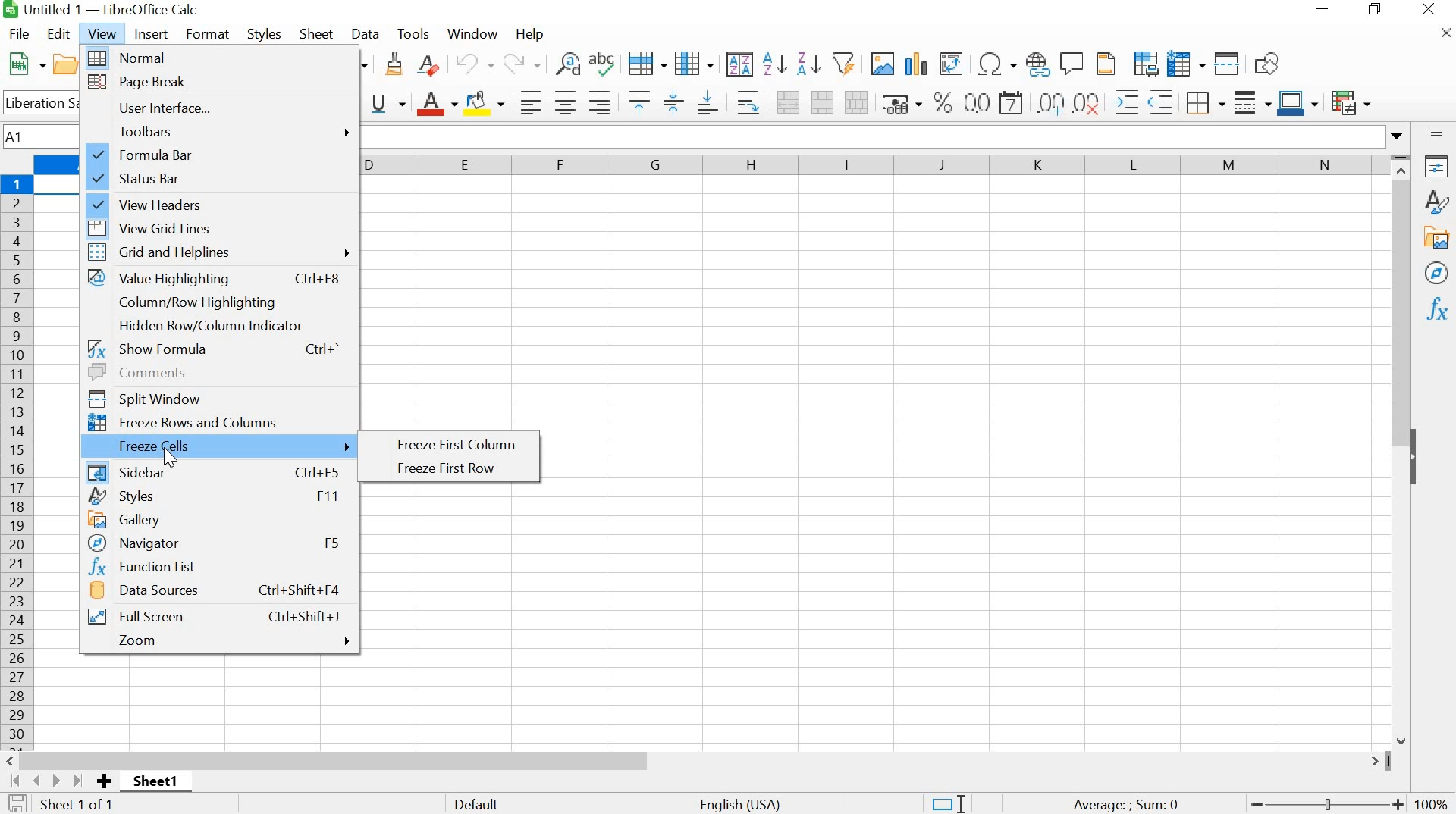 The width and height of the screenshot is (1456, 814). Describe the element at coordinates (486, 102) in the screenshot. I see `BACKGROUND COLOR` at that location.